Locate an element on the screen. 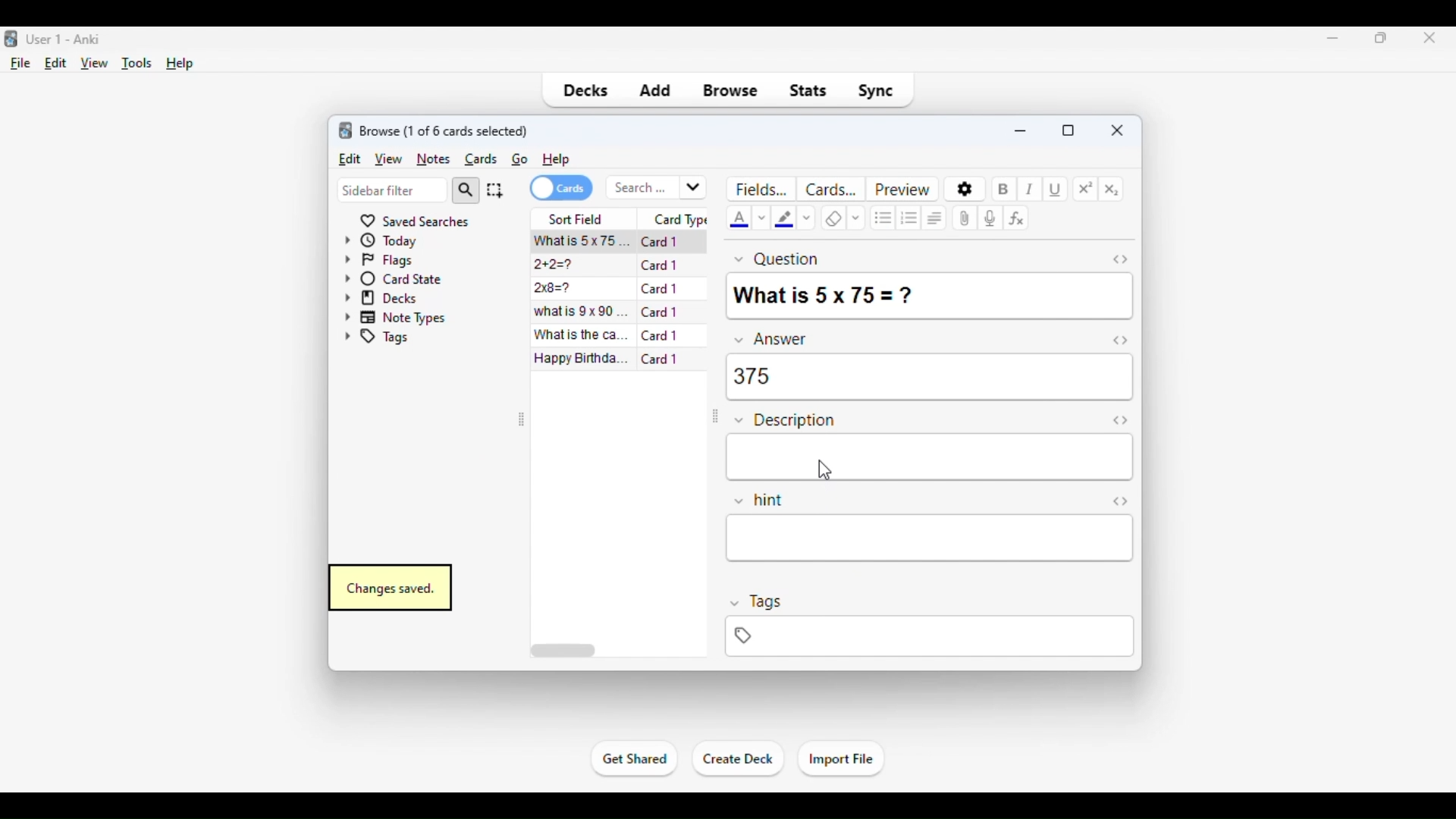  text highlighting color is located at coordinates (784, 218).